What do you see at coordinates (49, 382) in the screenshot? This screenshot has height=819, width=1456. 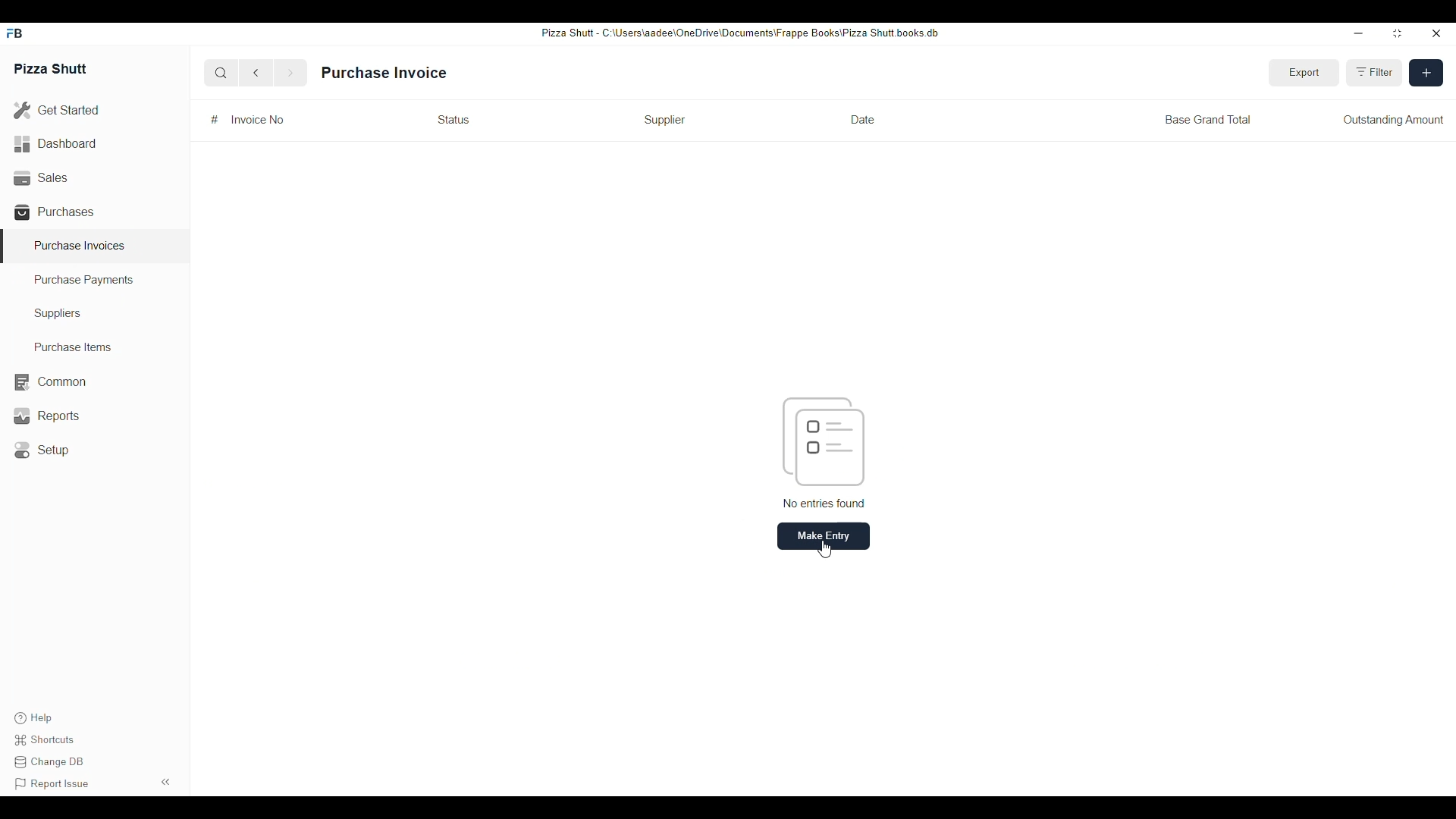 I see `Common` at bounding box center [49, 382].